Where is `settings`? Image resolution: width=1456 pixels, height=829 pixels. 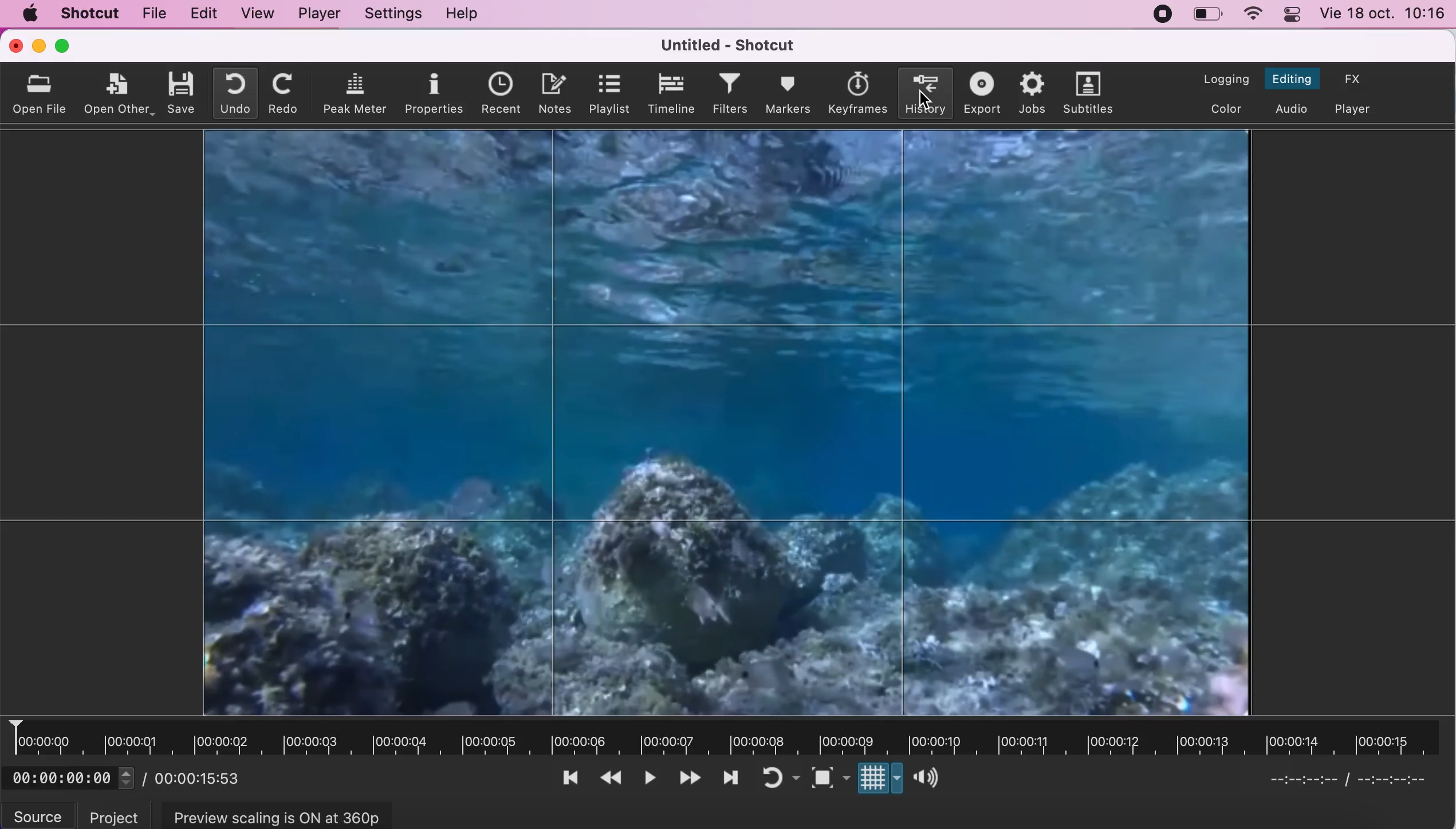 settings is located at coordinates (394, 14).